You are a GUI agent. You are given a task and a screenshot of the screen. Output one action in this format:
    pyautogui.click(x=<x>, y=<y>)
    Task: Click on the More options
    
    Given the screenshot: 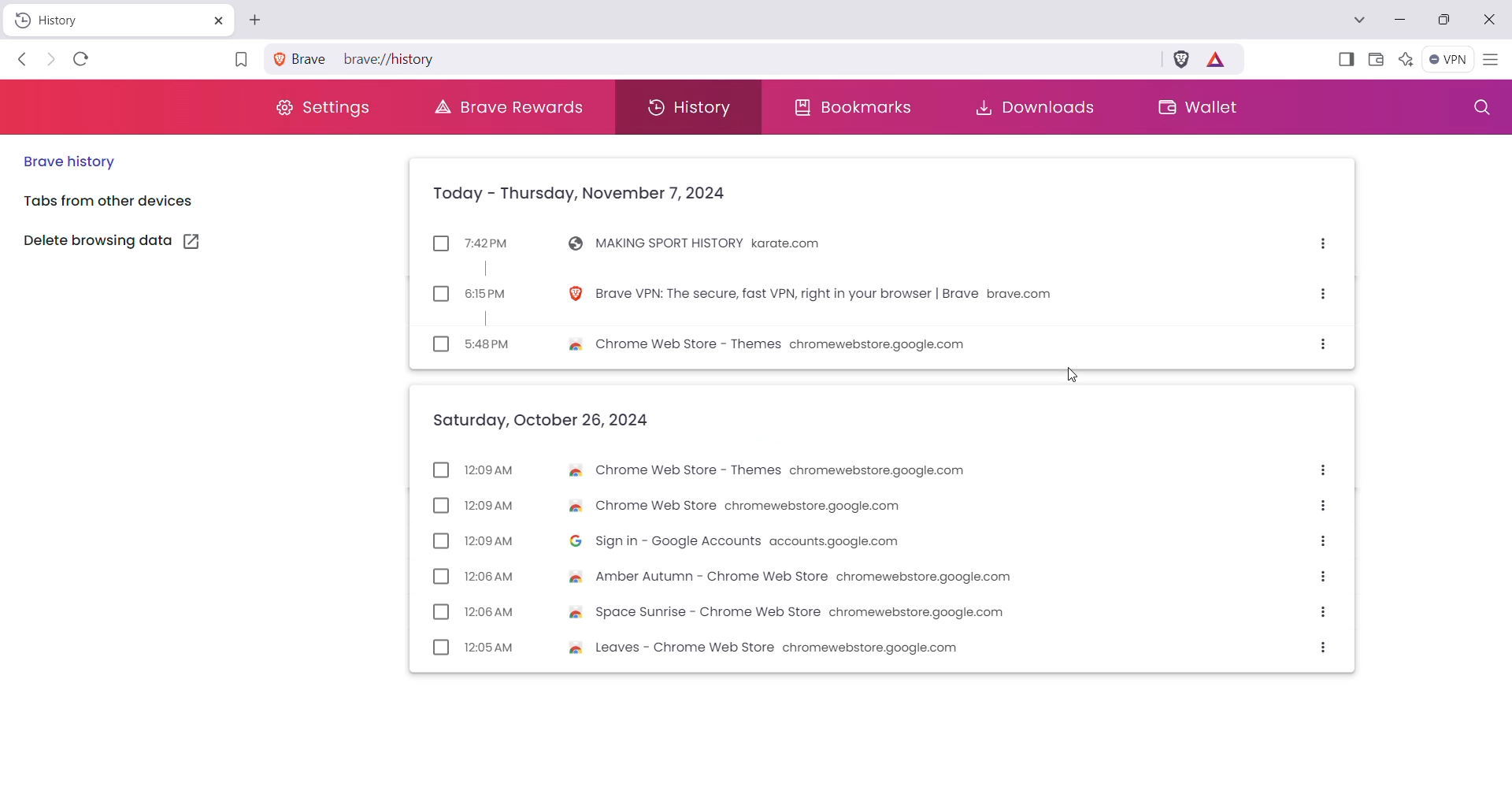 What is the action you would take?
    pyautogui.click(x=1322, y=295)
    